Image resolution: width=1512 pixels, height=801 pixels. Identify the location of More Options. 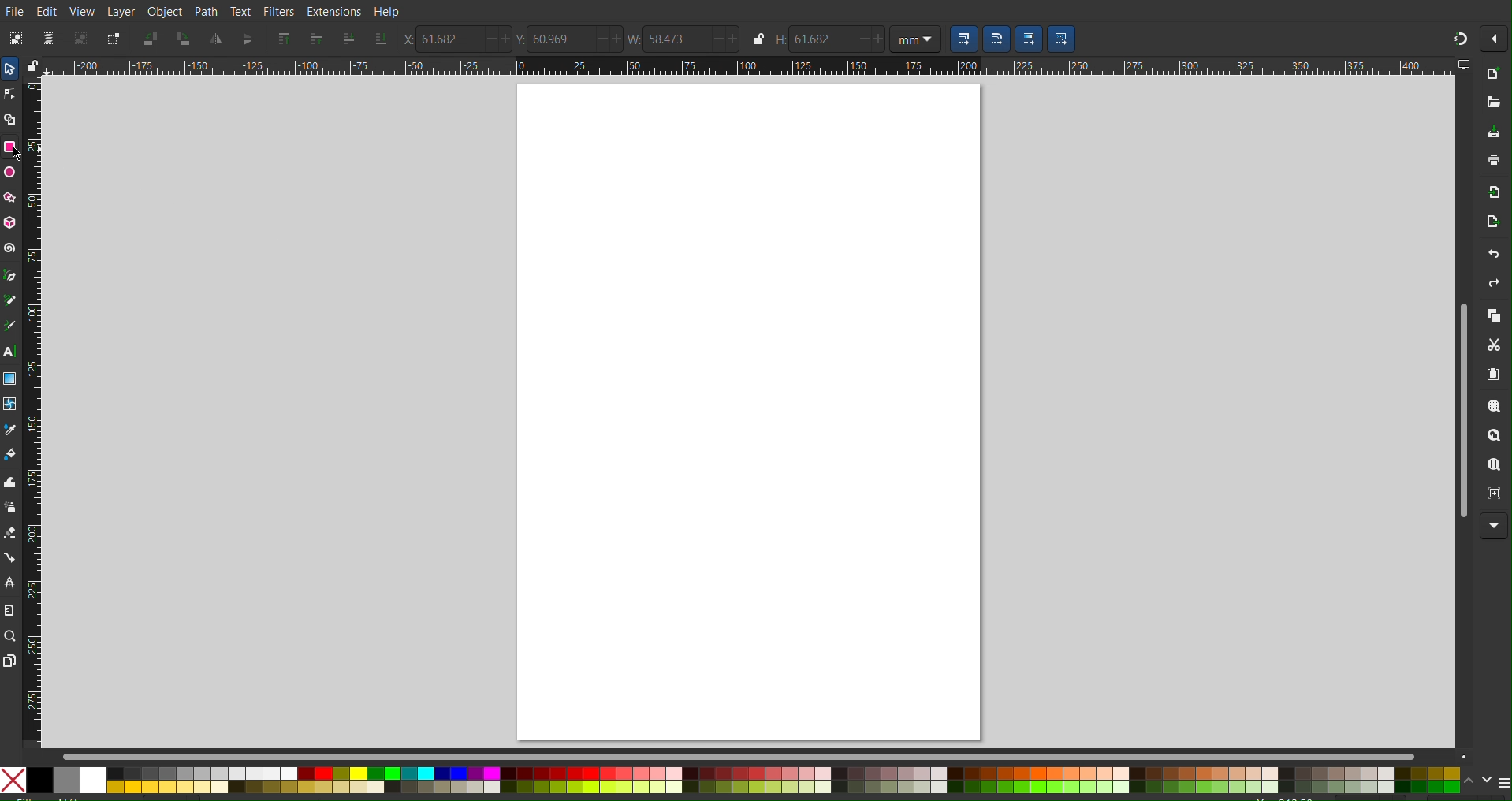
(1494, 38).